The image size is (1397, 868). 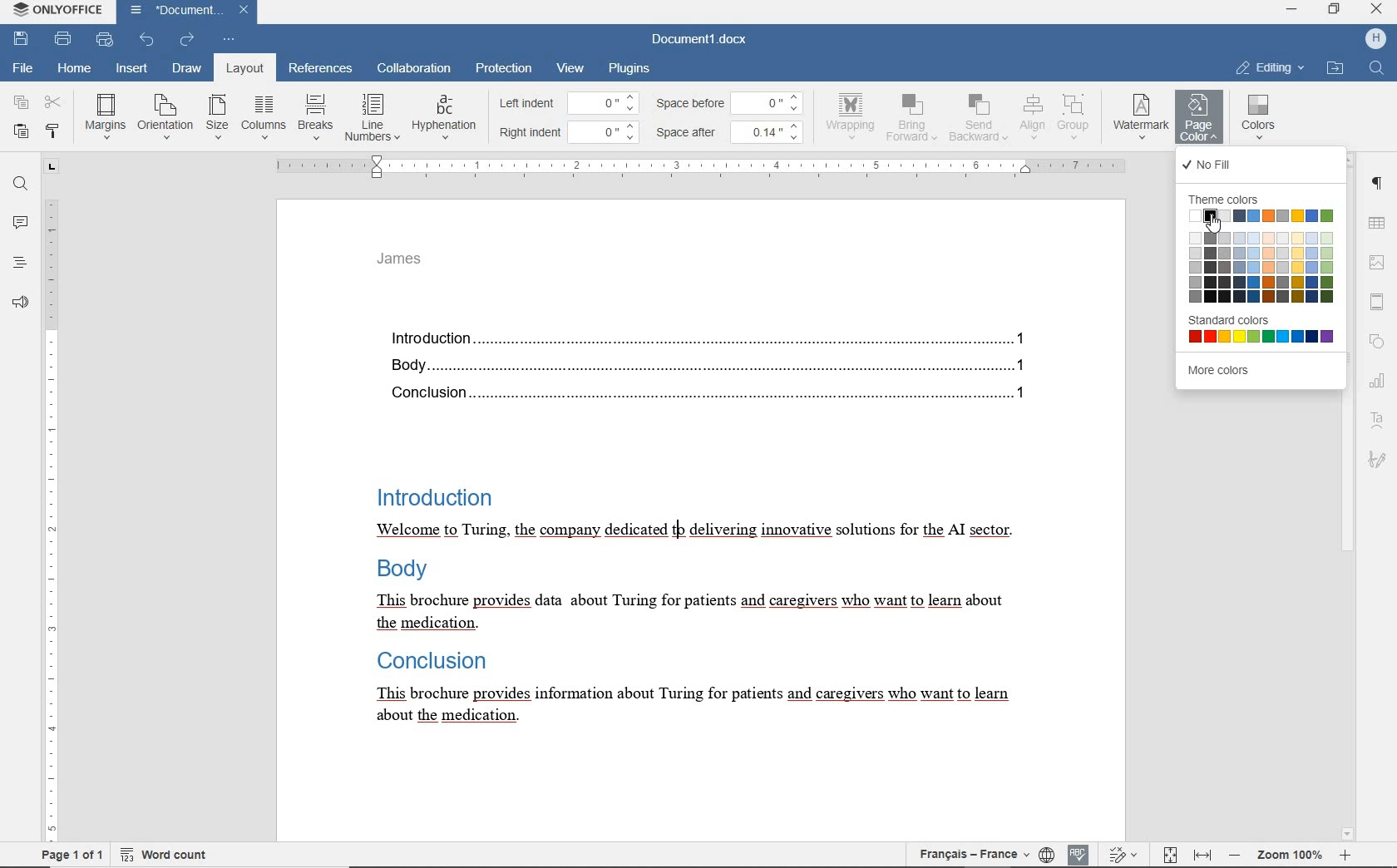 I want to click on feedback & support, so click(x=18, y=303).